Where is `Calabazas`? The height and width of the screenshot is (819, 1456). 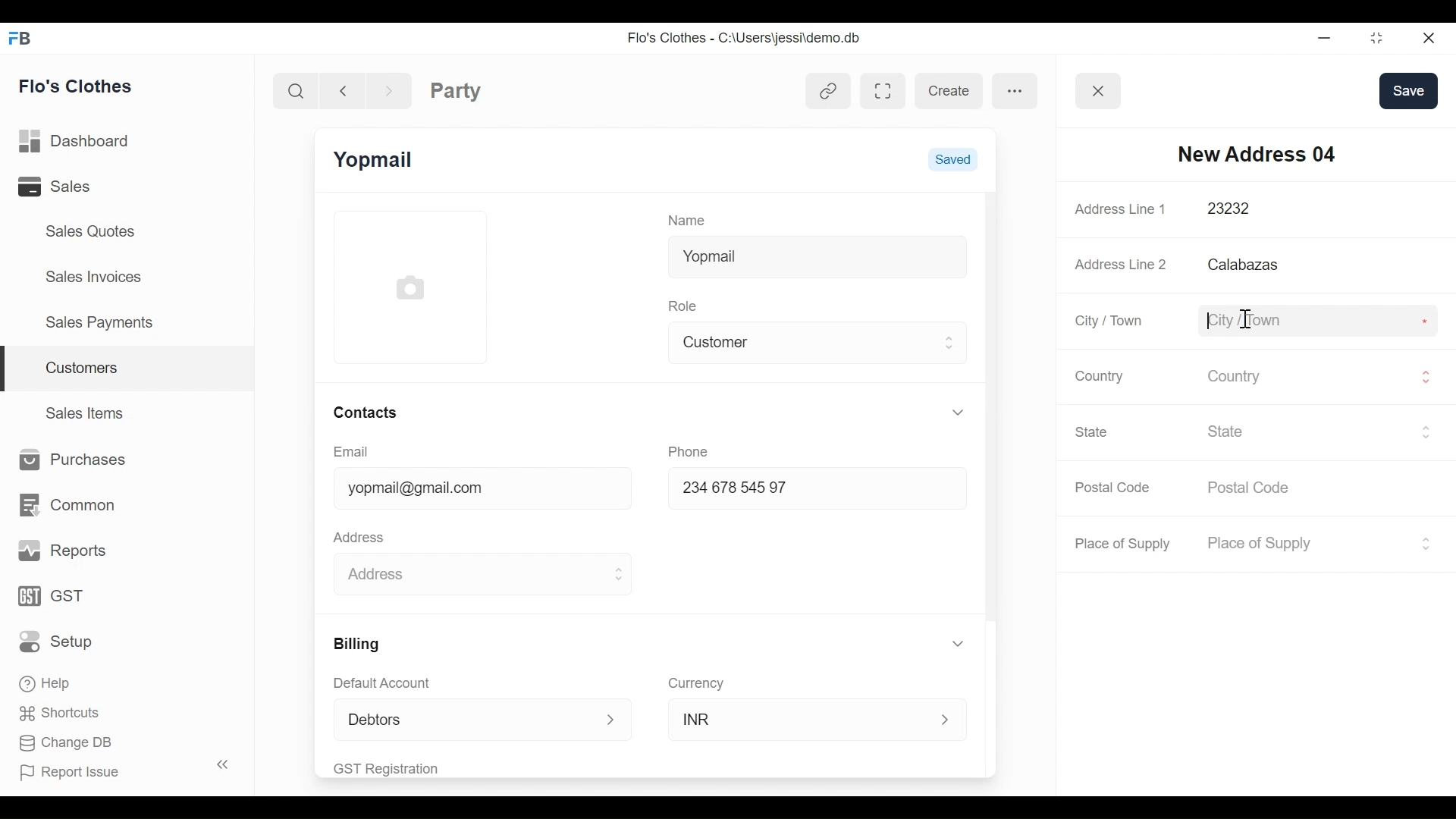
Calabazas is located at coordinates (1318, 265).